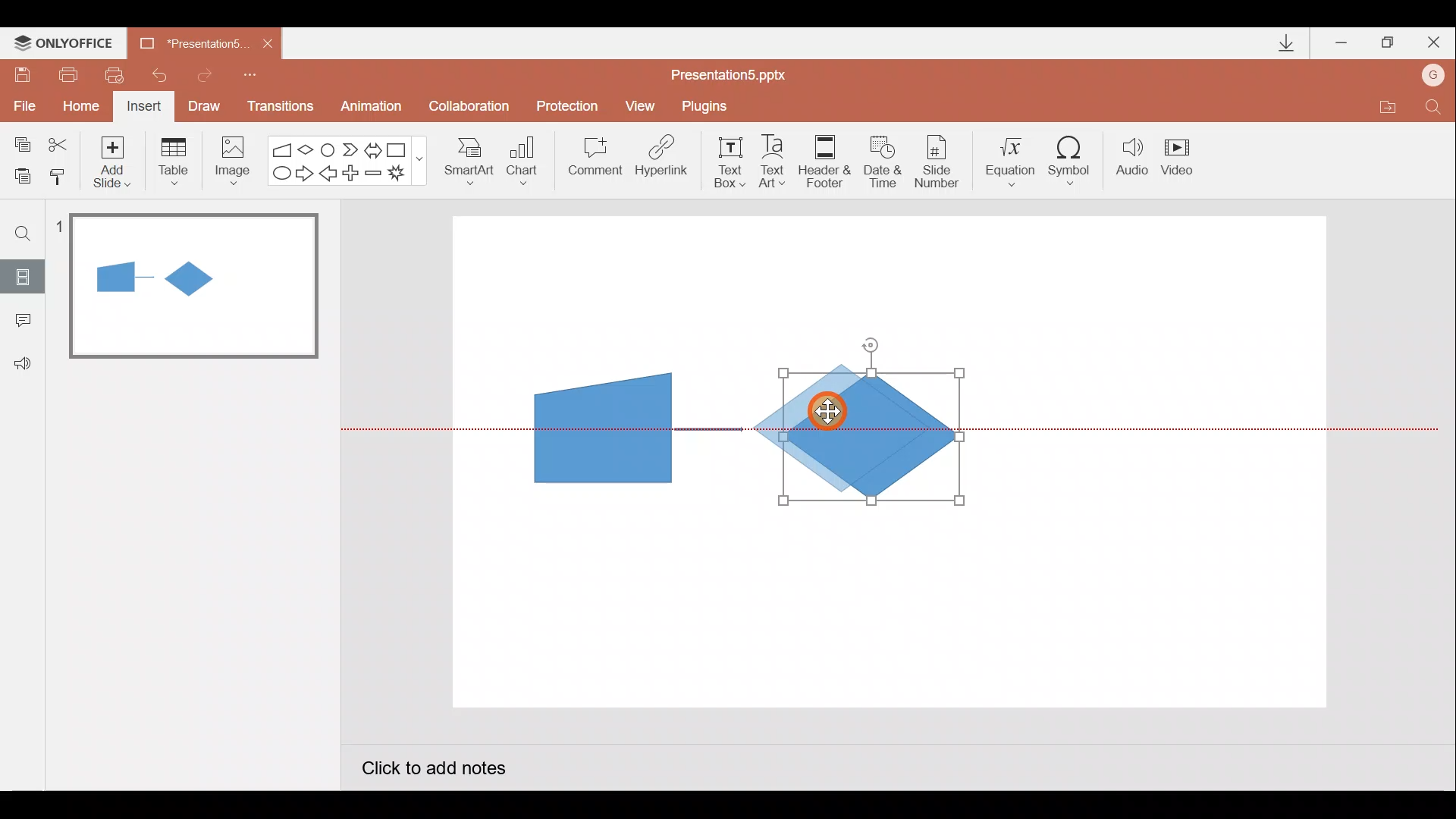  What do you see at coordinates (22, 276) in the screenshot?
I see `Slides` at bounding box center [22, 276].